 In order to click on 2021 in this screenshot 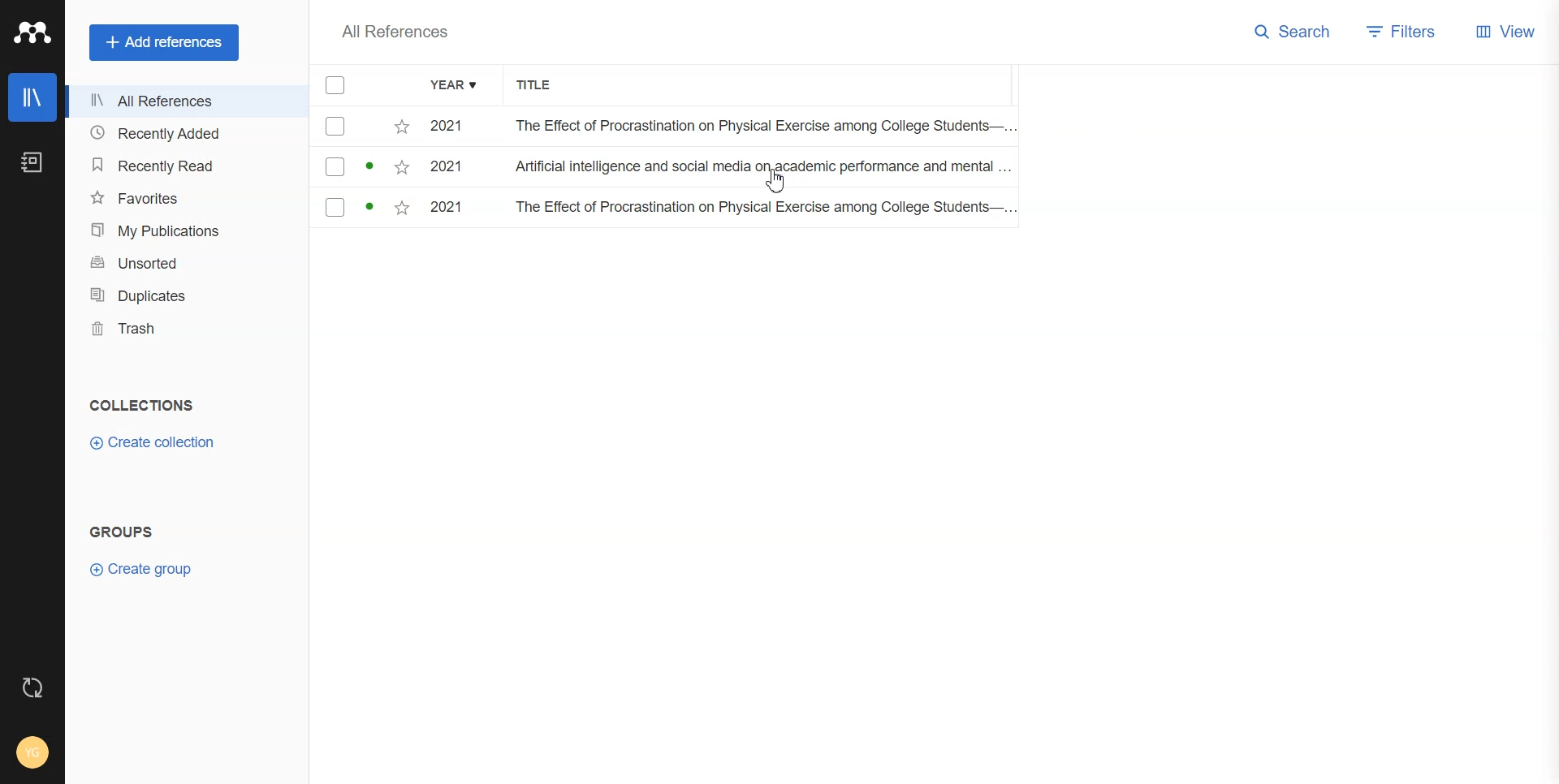, I will do `click(452, 127)`.